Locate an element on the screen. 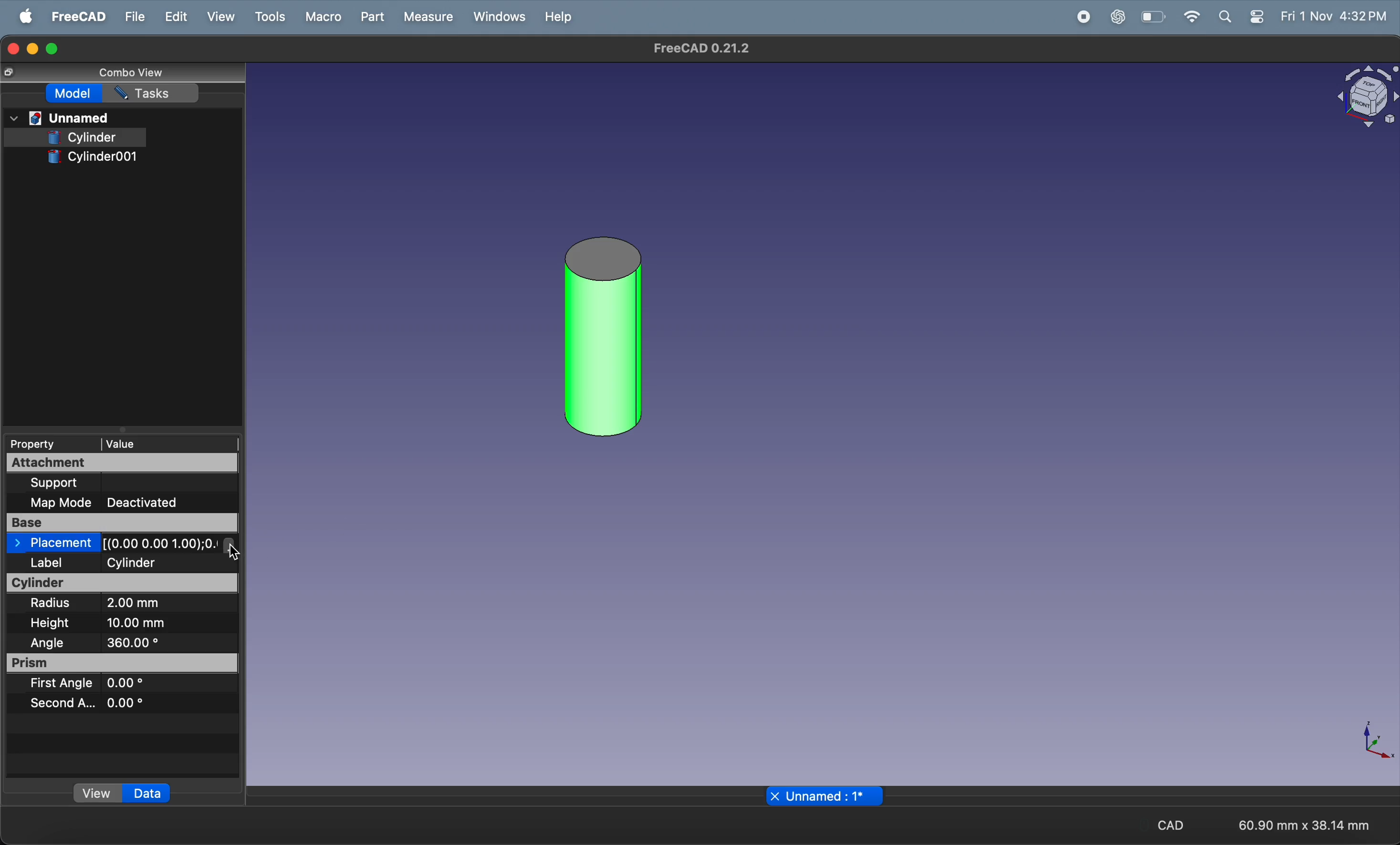 The height and width of the screenshot is (845, 1400). view is located at coordinates (98, 793).